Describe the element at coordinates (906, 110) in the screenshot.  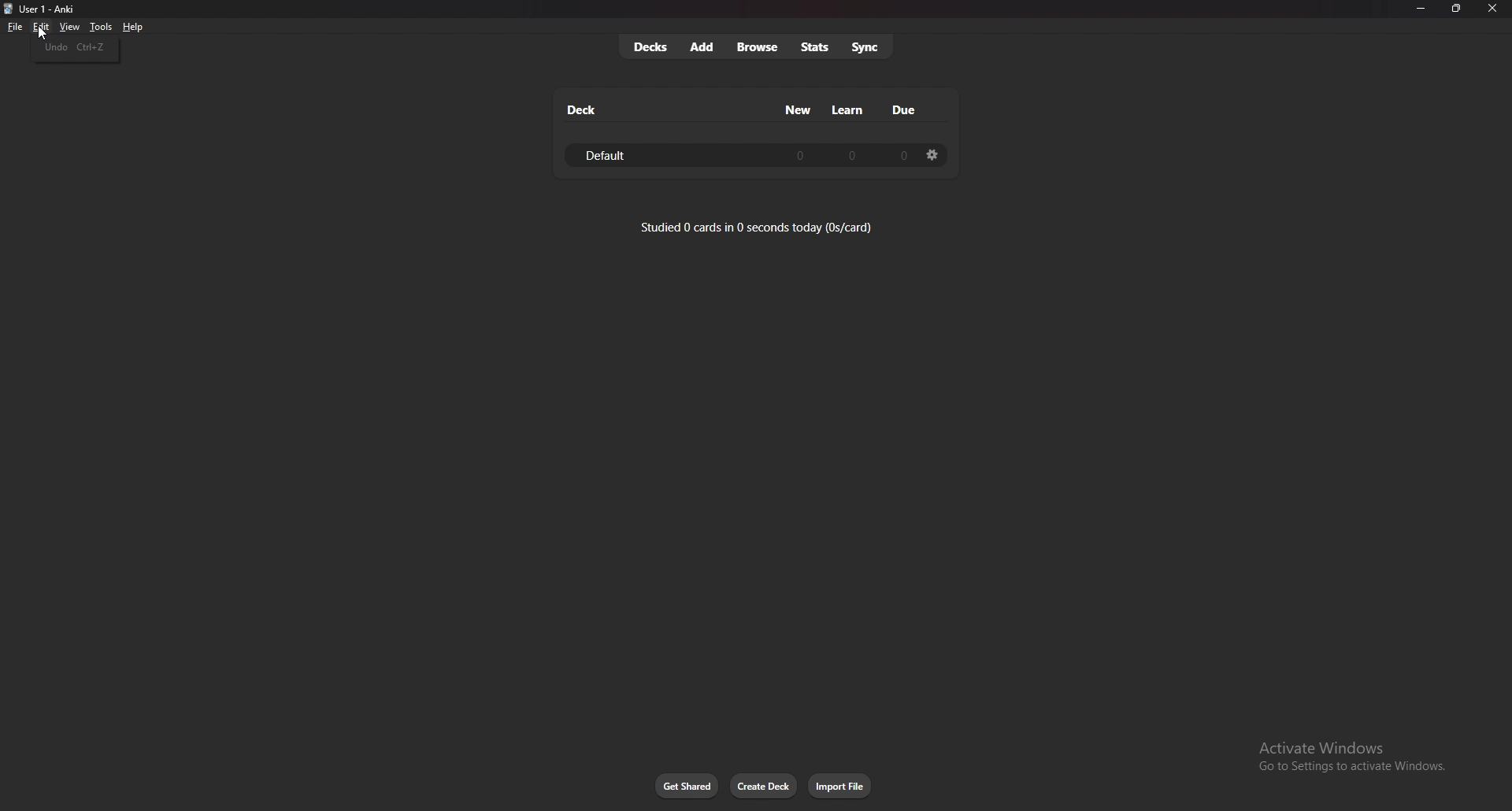
I see `due` at that location.